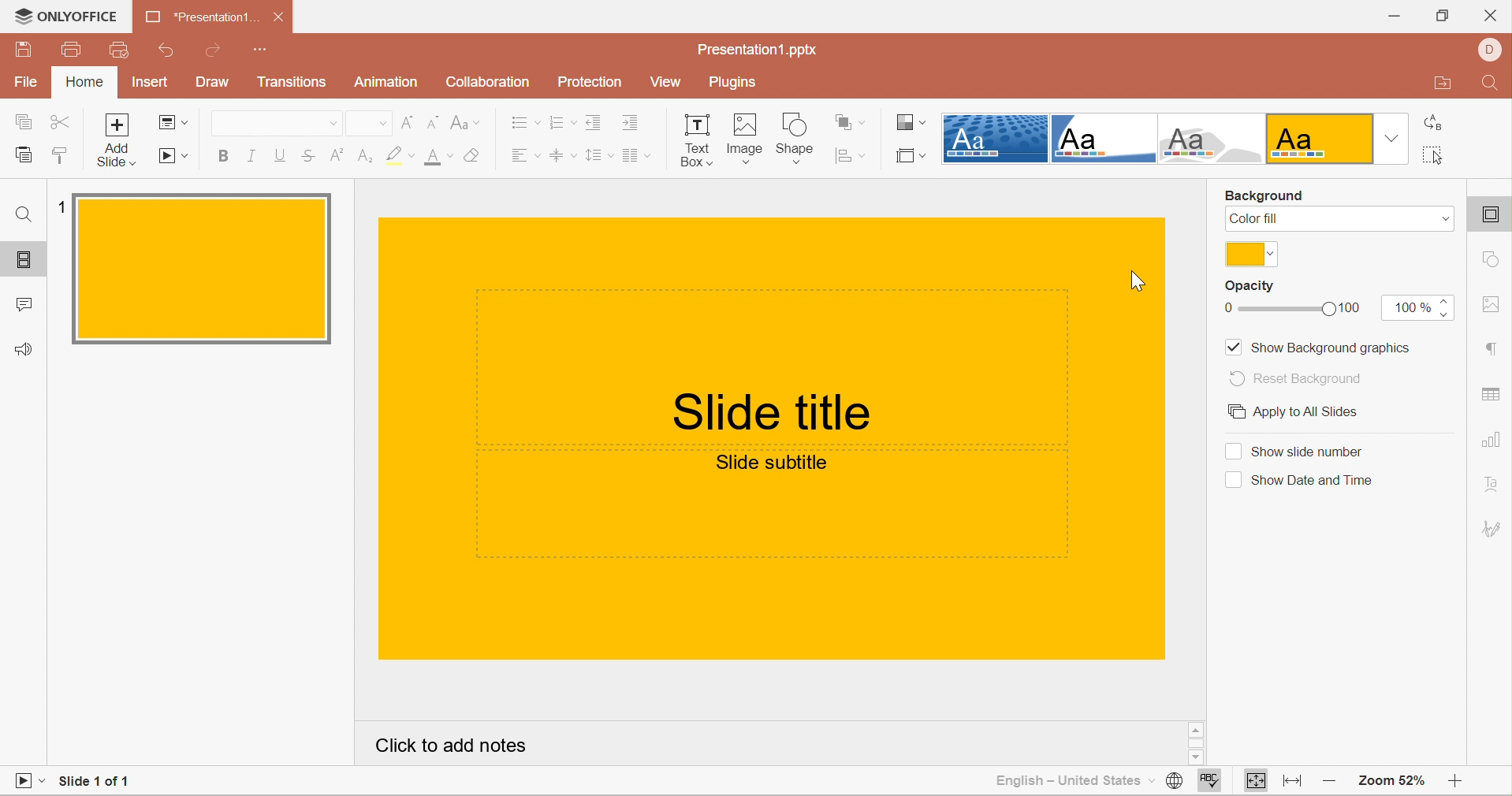  What do you see at coordinates (59, 154) in the screenshot?
I see `Copy style` at bounding box center [59, 154].